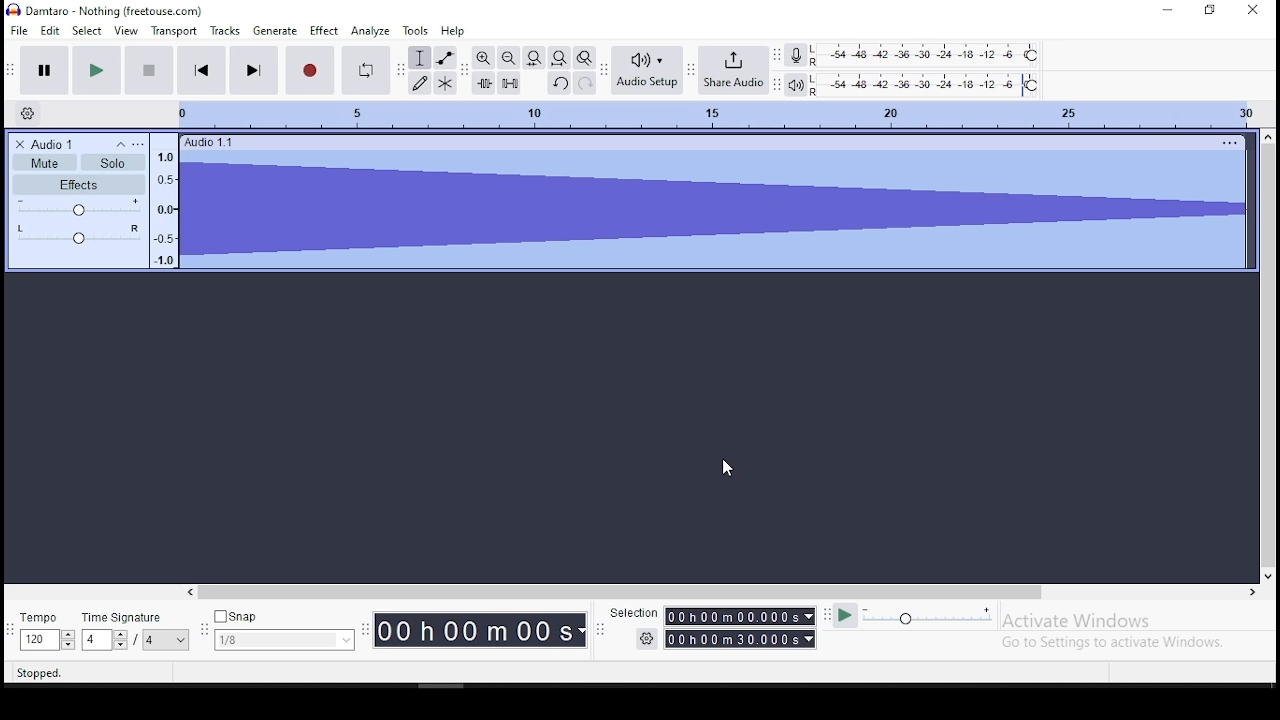 This screenshot has width=1280, height=720. I want to click on skip to end, so click(254, 70).